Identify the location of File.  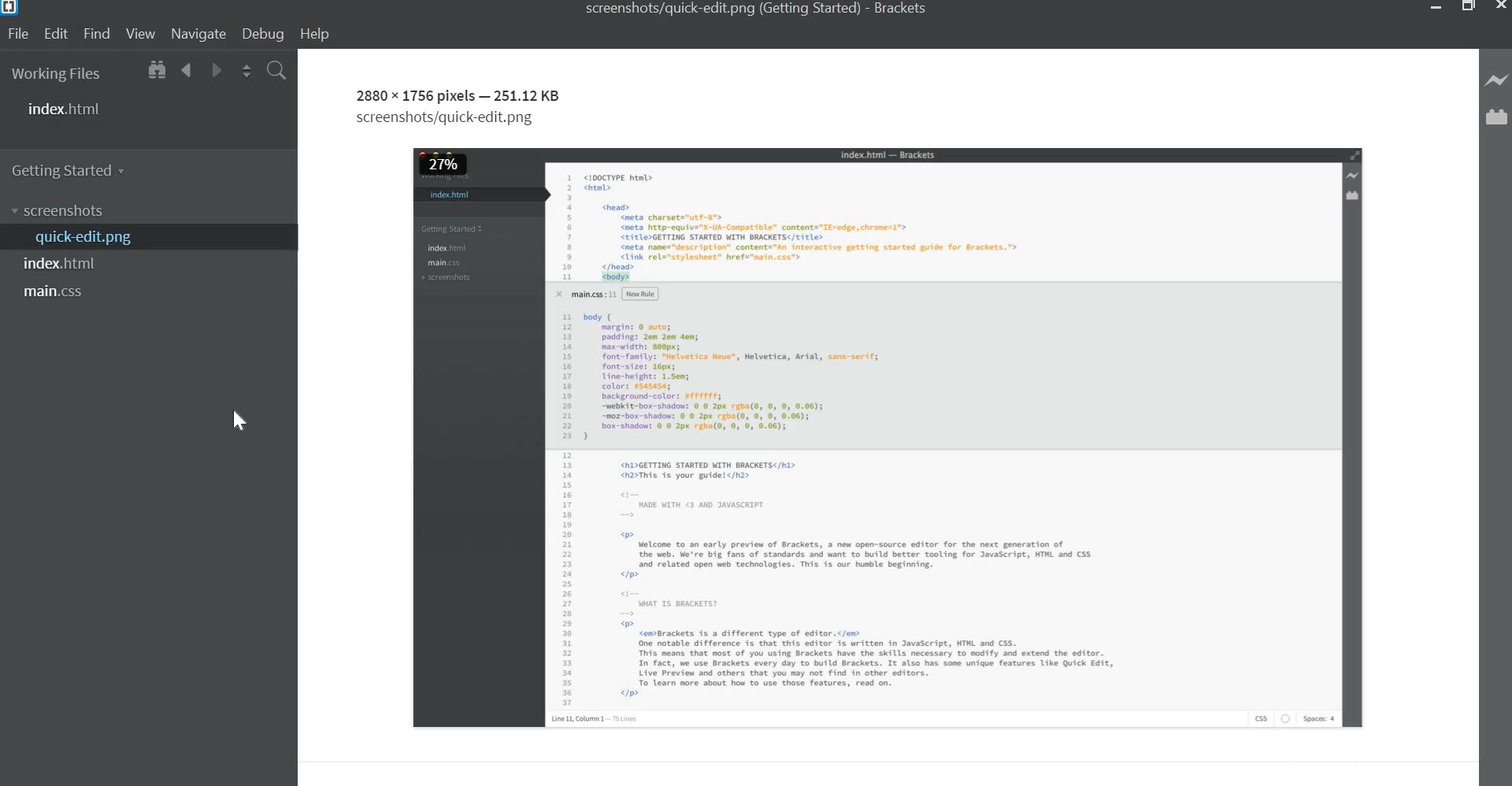
(20, 34).